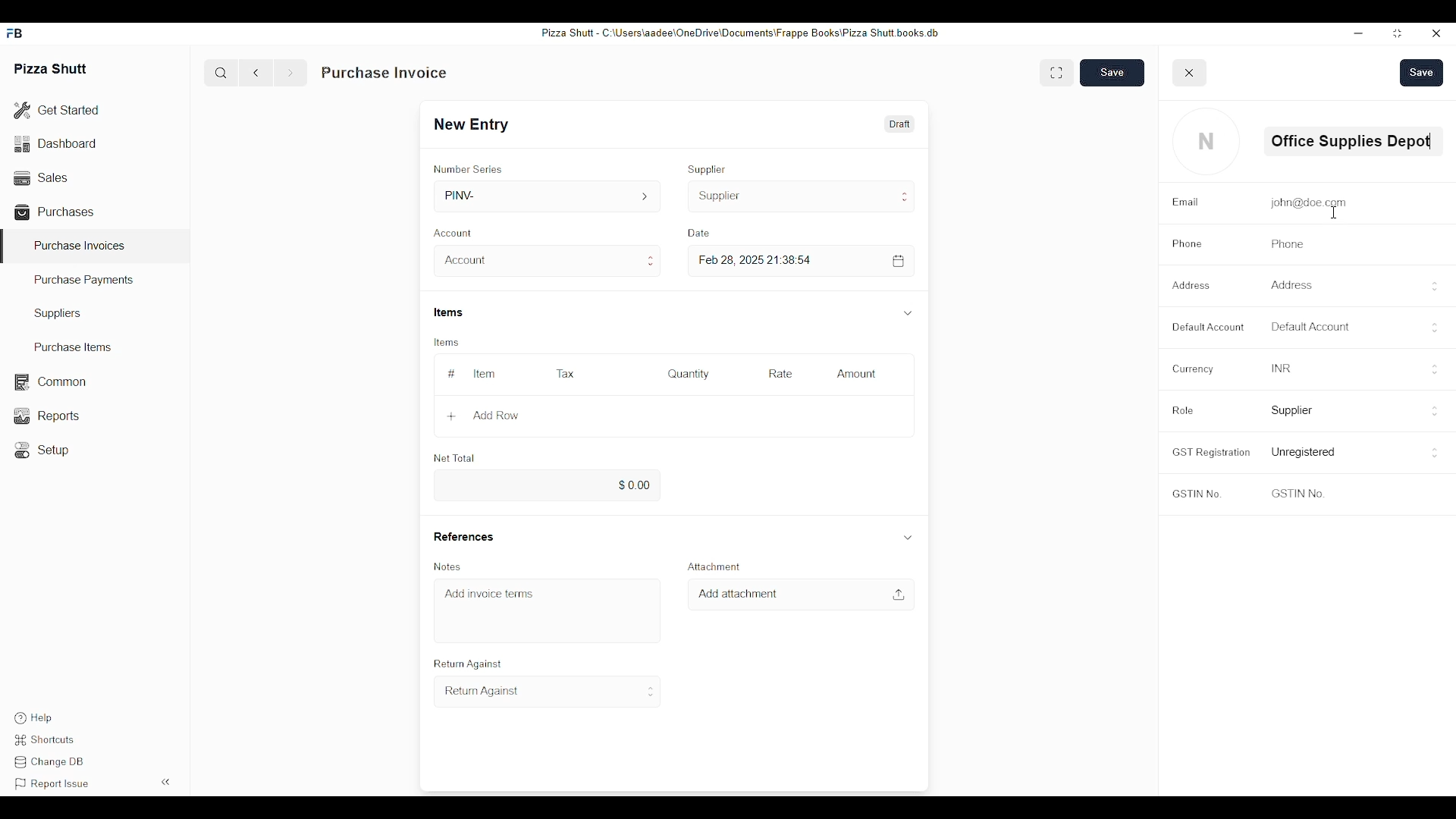 This screenshot has width=1456, height=819. I want to click on Draft, so click(898, 124).